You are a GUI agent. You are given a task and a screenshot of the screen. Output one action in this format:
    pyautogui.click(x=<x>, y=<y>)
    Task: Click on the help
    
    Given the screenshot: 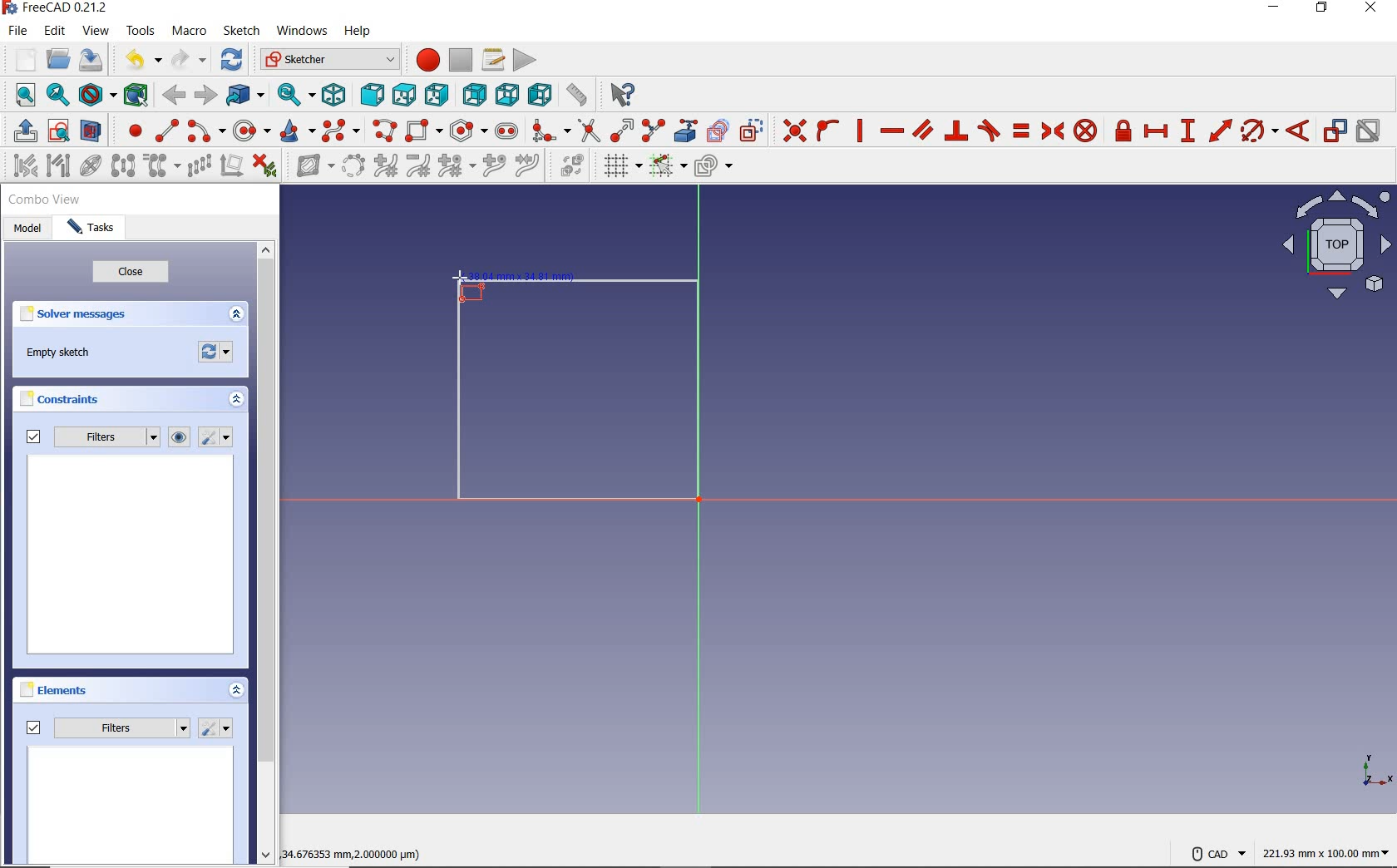 What is the action you would take?
    pyautogui.click(x=360, y=33)
    